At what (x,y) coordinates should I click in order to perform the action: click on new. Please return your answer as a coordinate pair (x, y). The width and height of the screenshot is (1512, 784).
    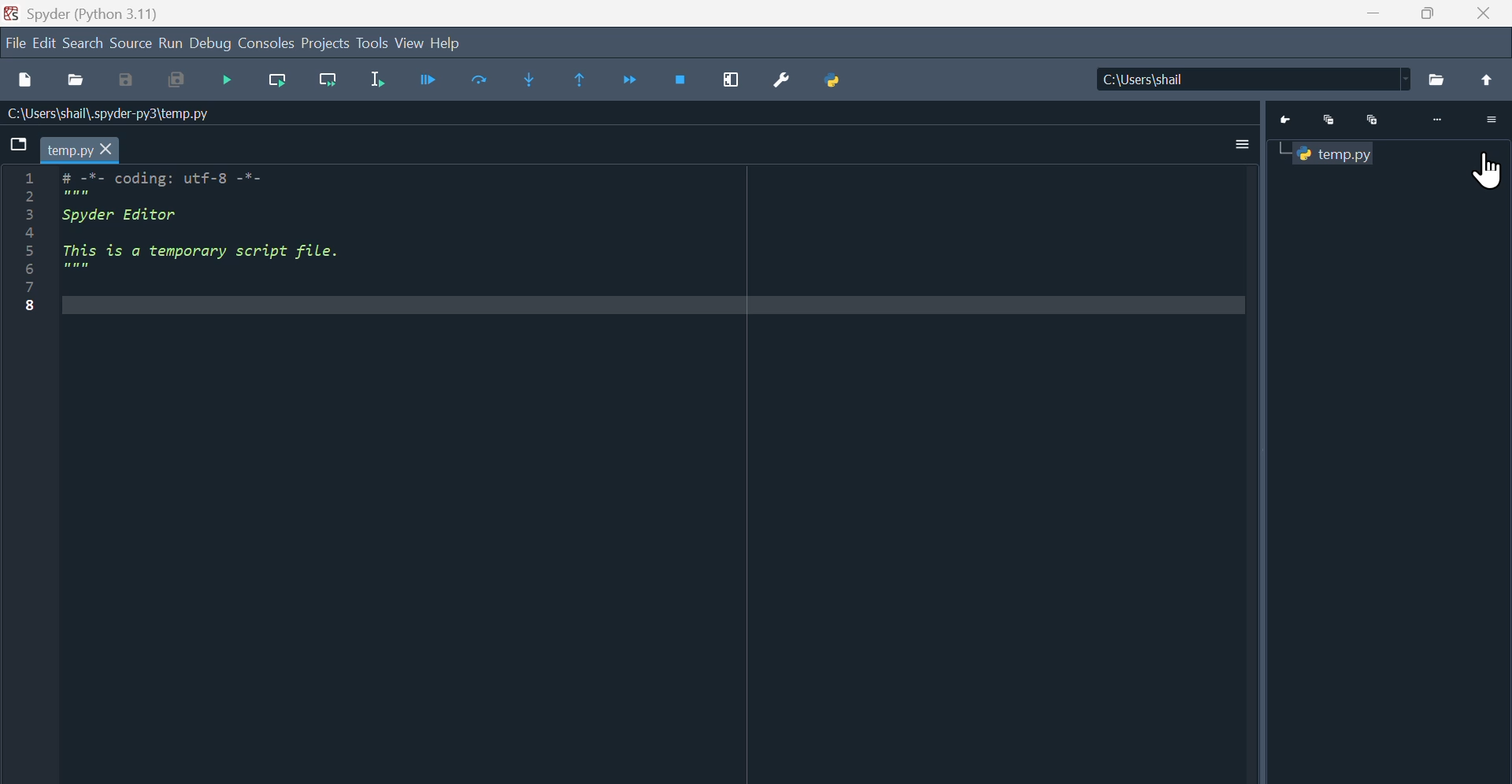
    Looking at the image, I should click on (24, 80).